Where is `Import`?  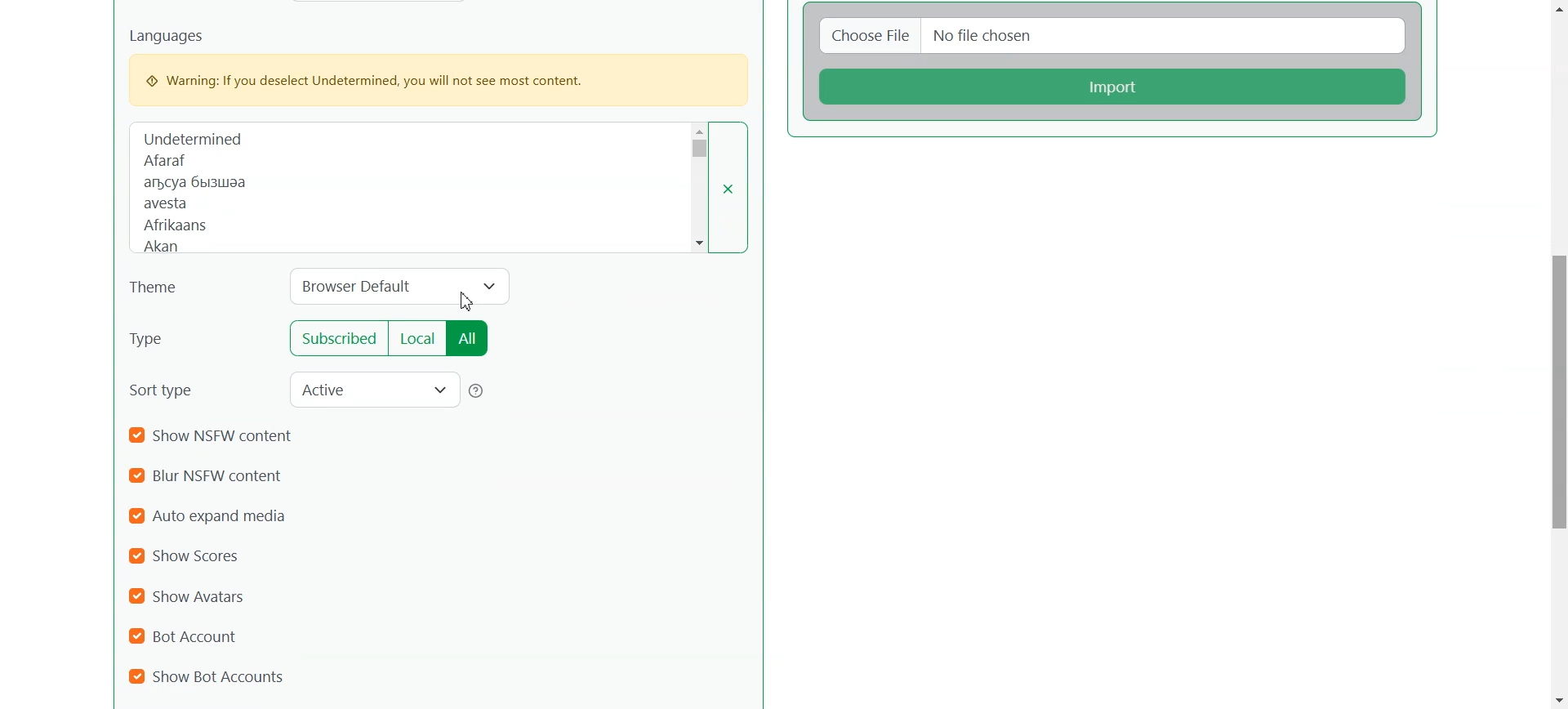 Import is located at coordinates (1115, 86).